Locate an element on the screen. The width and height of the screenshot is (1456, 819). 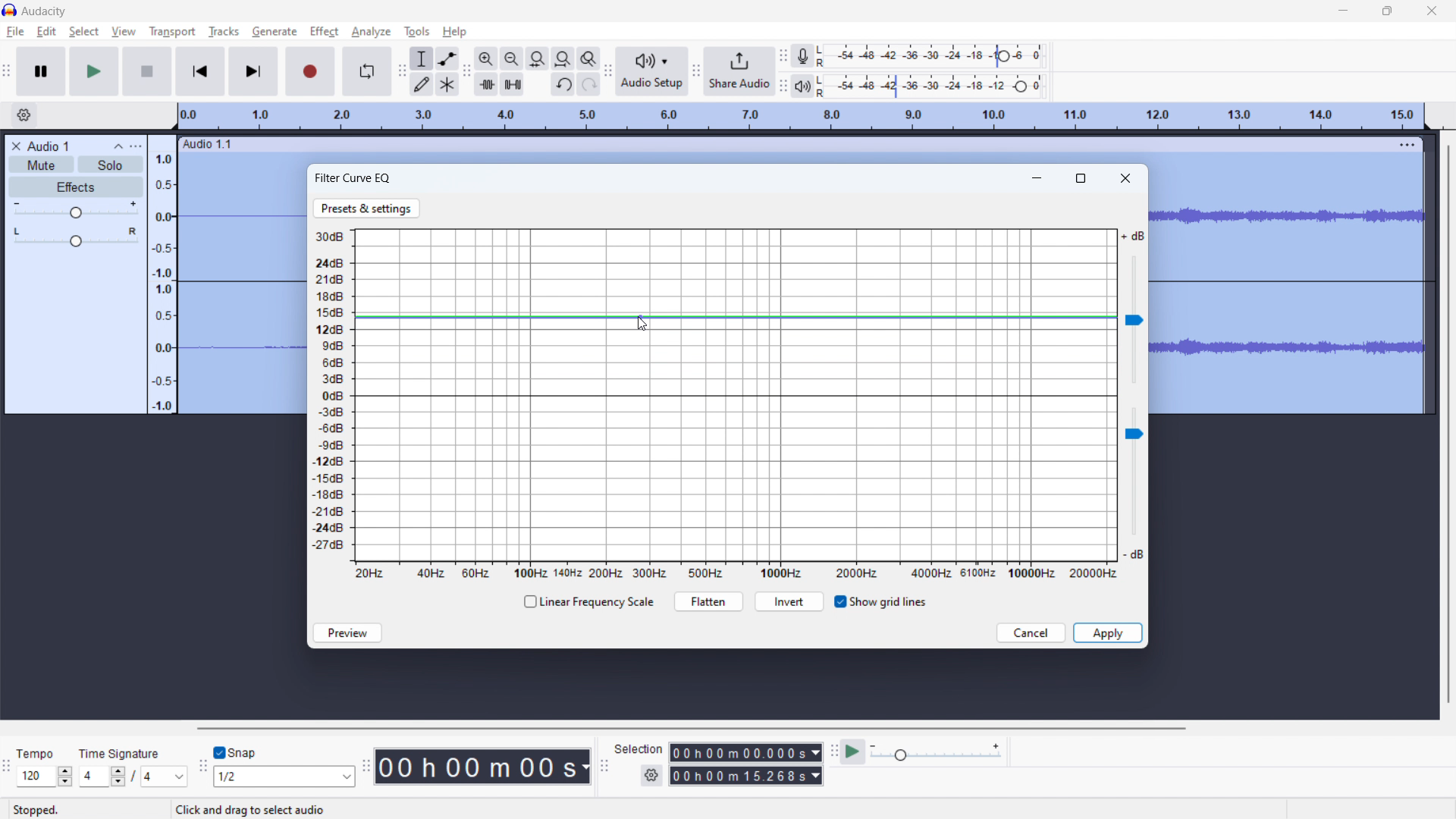
zoom in is located at coordinates (486, 58).